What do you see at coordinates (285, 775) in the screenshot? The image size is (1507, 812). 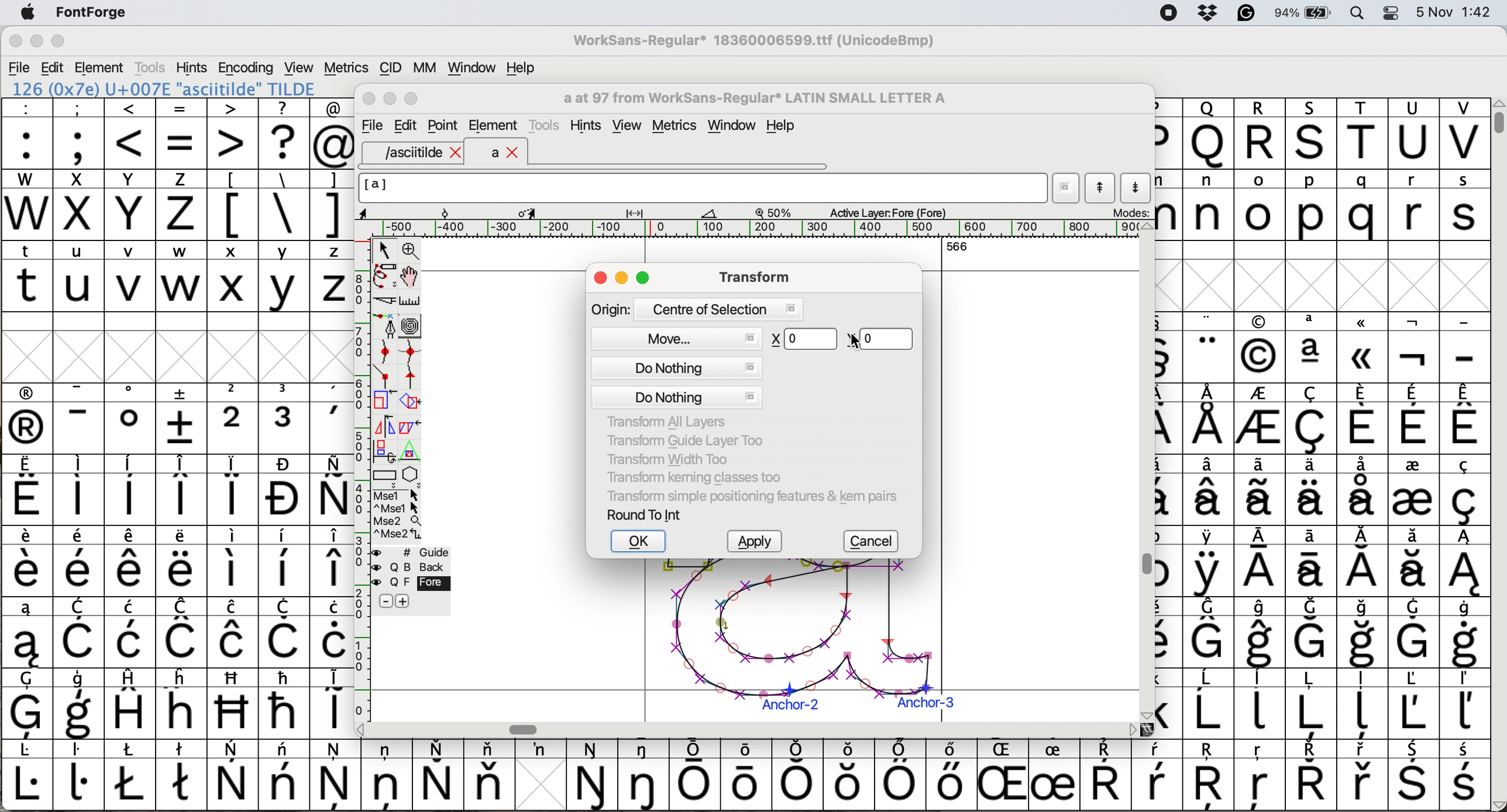 I see `symbol` at bounding box center [285, 775].